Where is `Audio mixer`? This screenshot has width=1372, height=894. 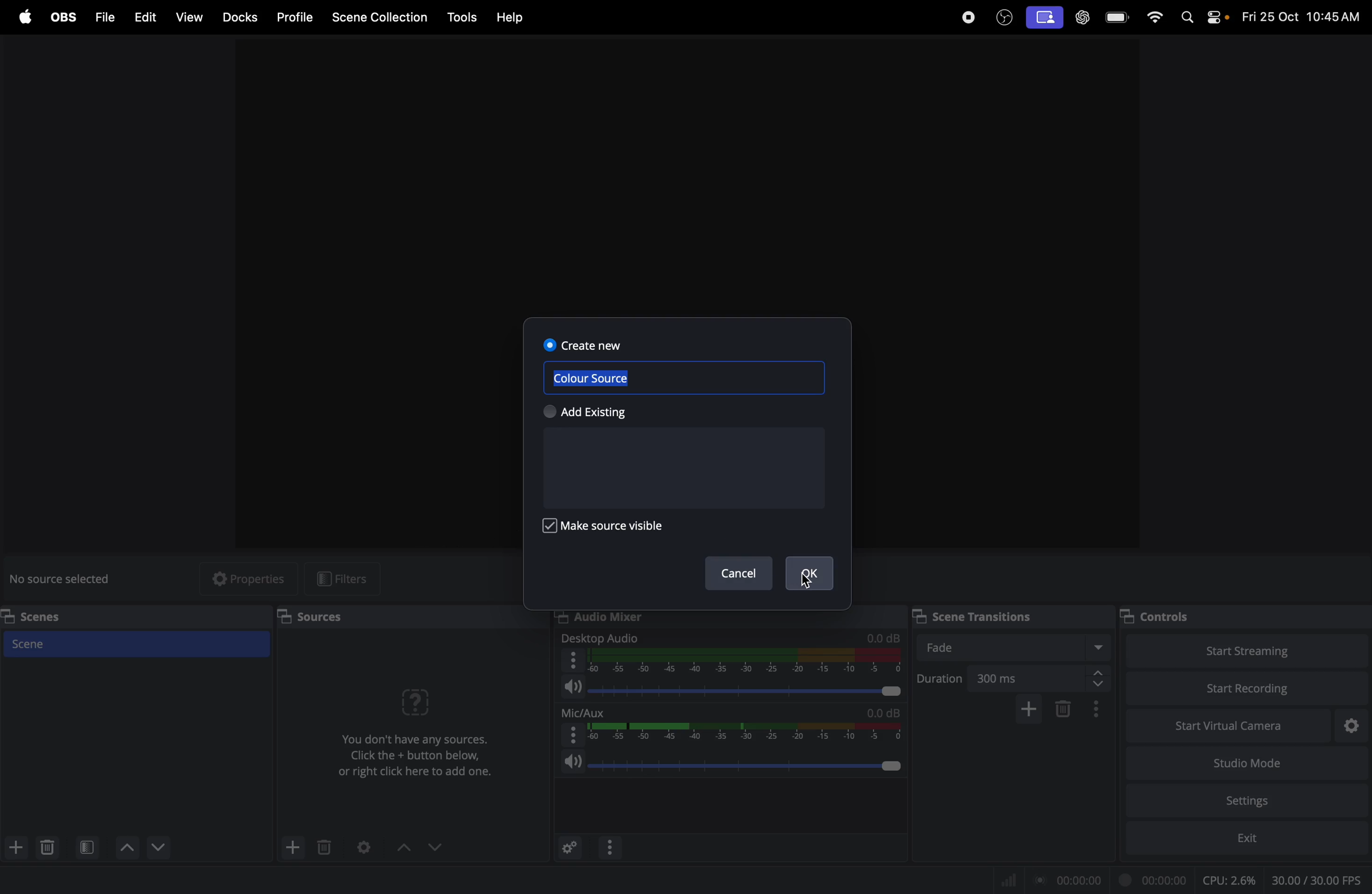 Audio mixer is located at coordinates (603, 617).